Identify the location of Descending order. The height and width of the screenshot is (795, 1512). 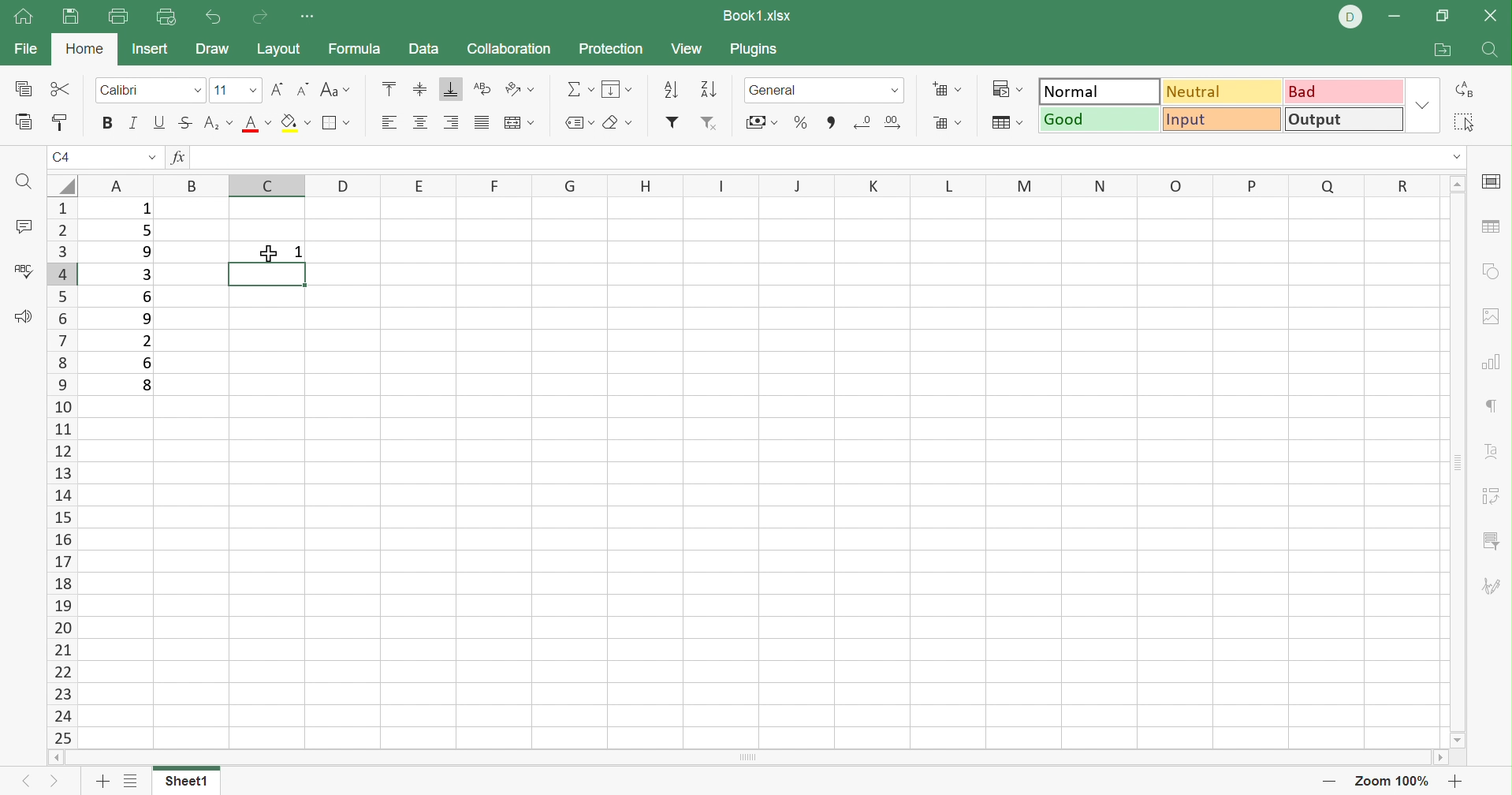
(709, 90).